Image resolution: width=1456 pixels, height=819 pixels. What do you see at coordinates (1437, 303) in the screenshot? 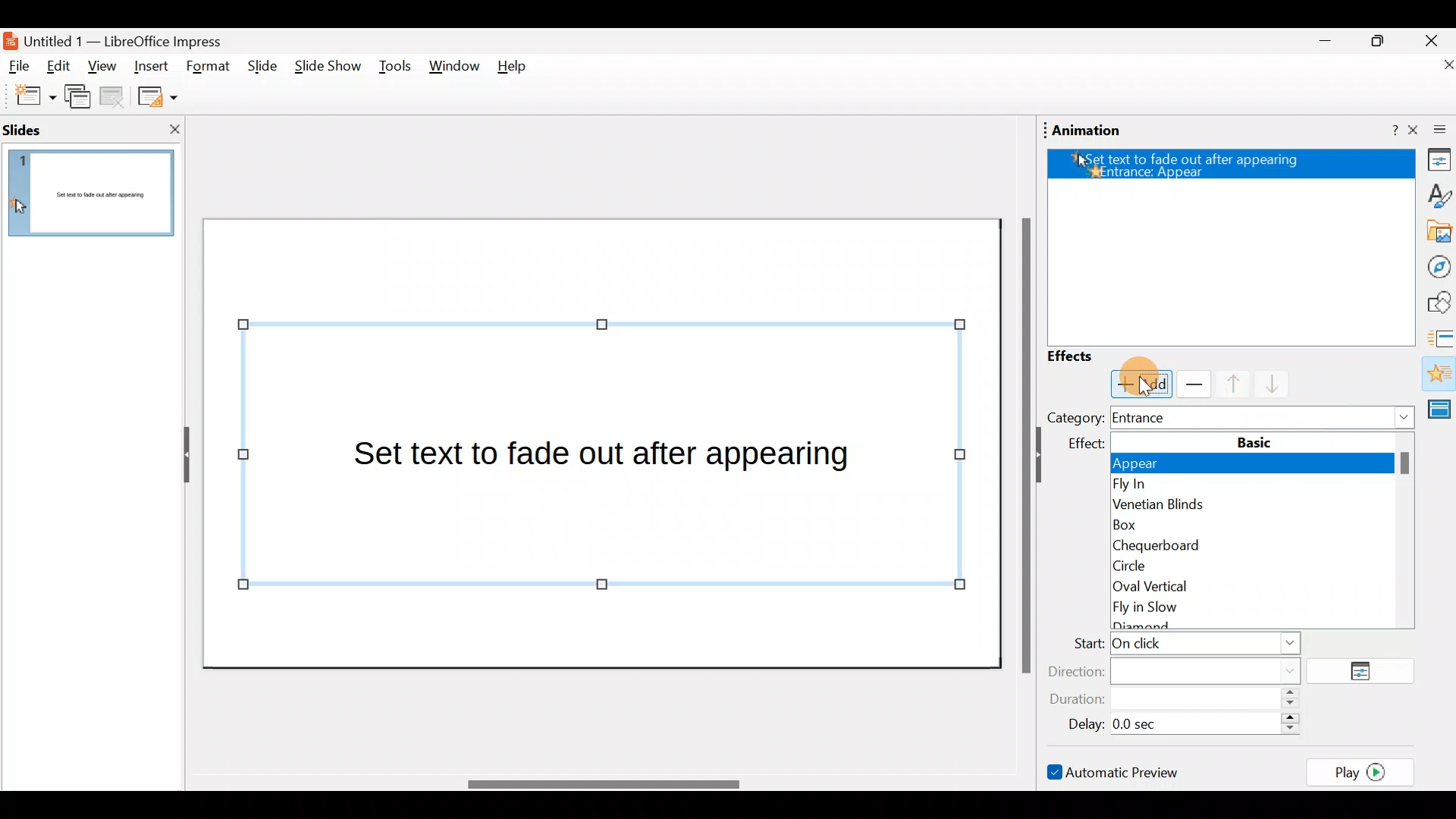
I see `Shapes` at bounding box center [1437, 303].